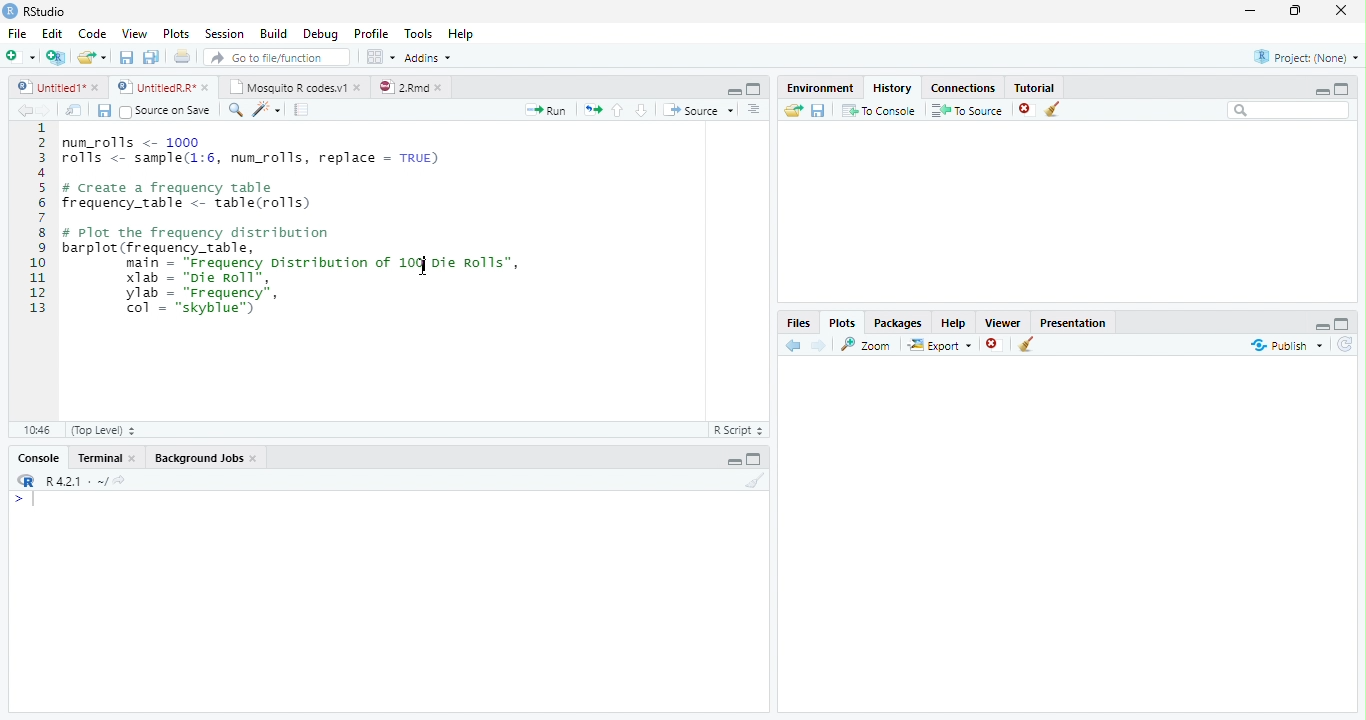  What do you see at coordinates (1053, 109) in the screenshot?
I see `Clear` at bounding box center [1053, 109].